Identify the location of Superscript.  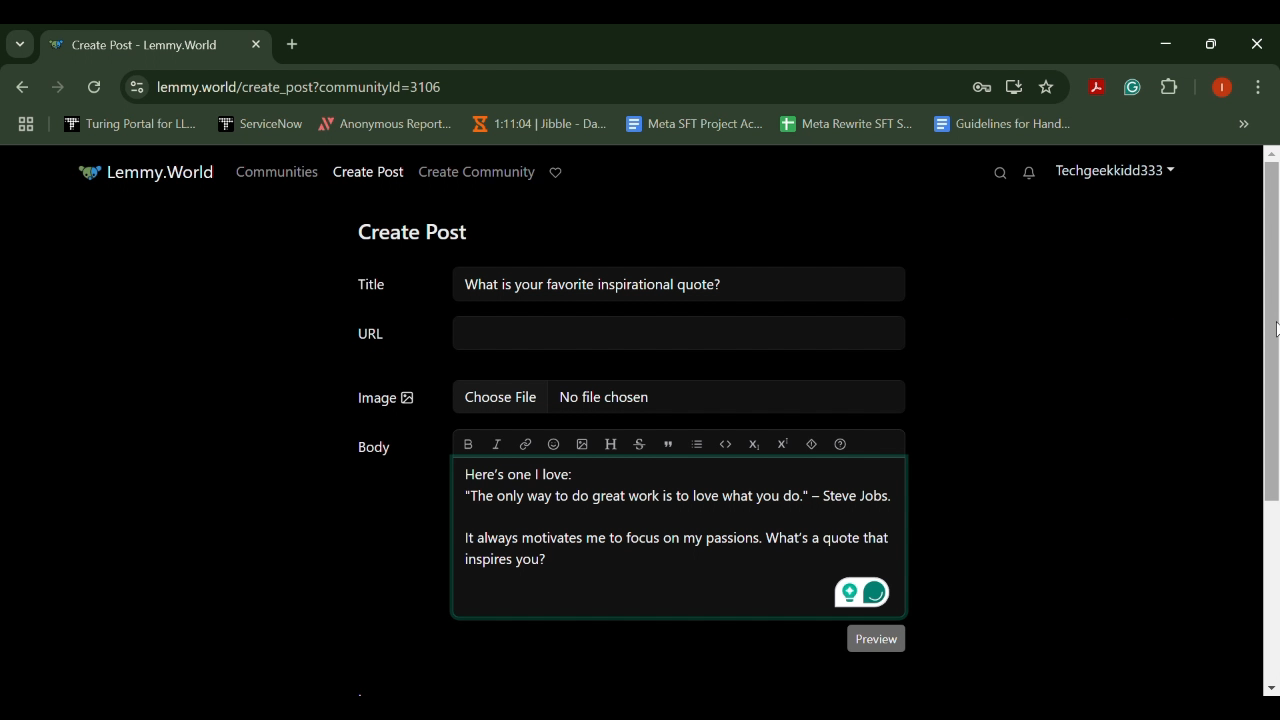
(782, 443).